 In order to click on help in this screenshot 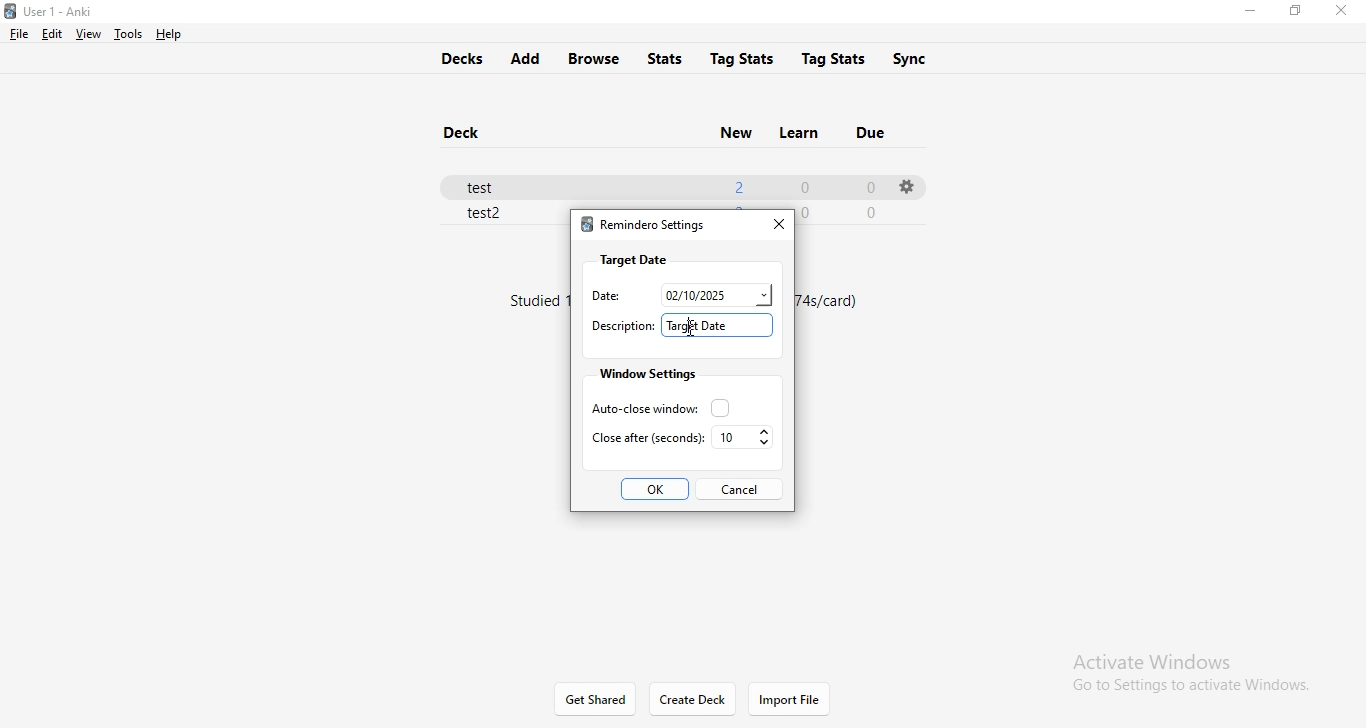, I will do `click(166, 34)`.